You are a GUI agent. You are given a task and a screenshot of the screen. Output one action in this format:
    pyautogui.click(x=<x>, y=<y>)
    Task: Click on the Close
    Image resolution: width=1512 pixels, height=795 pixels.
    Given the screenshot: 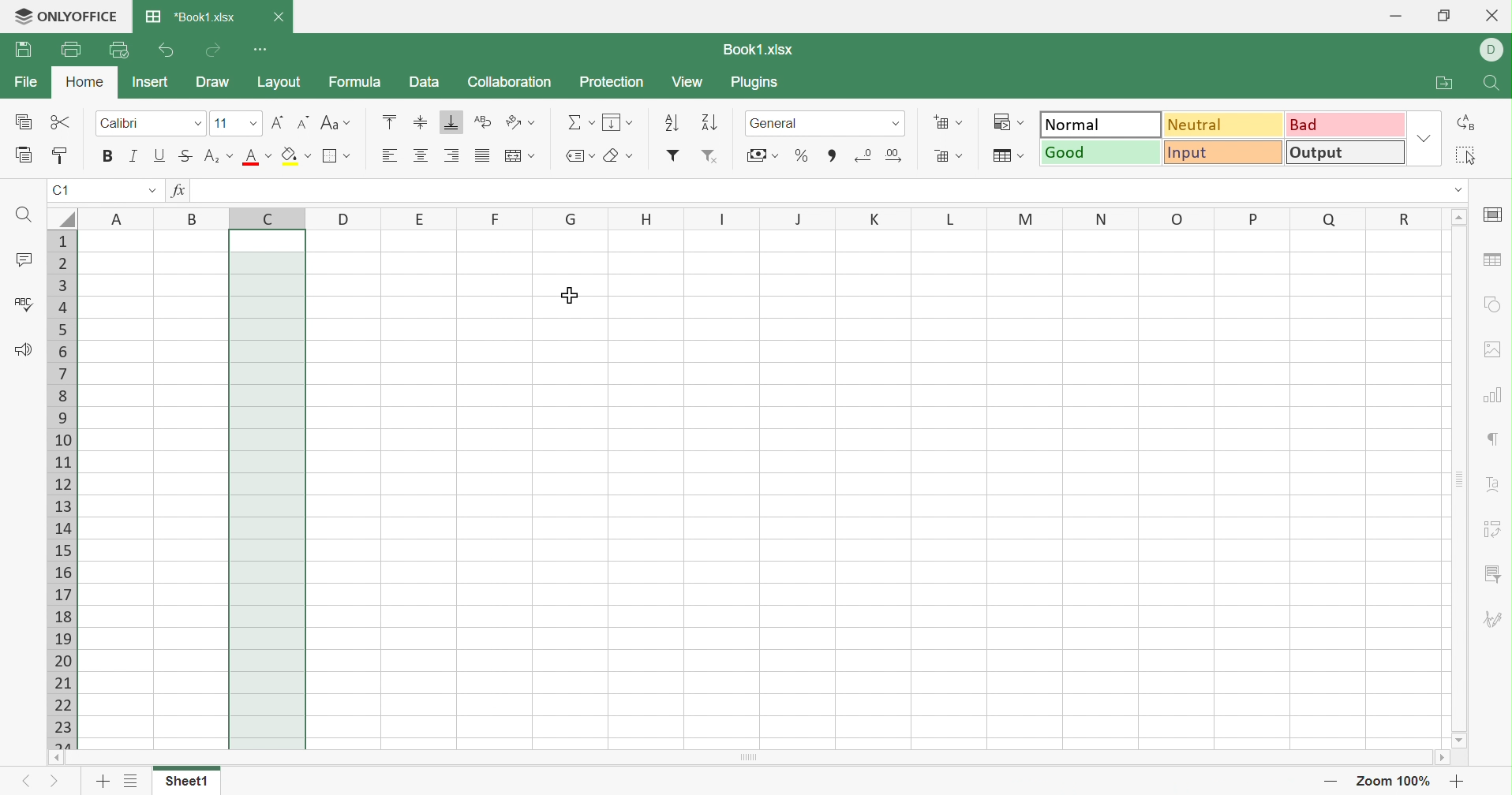 What is the action you would take?
    pyautogui.click(x=281, y=18)
    